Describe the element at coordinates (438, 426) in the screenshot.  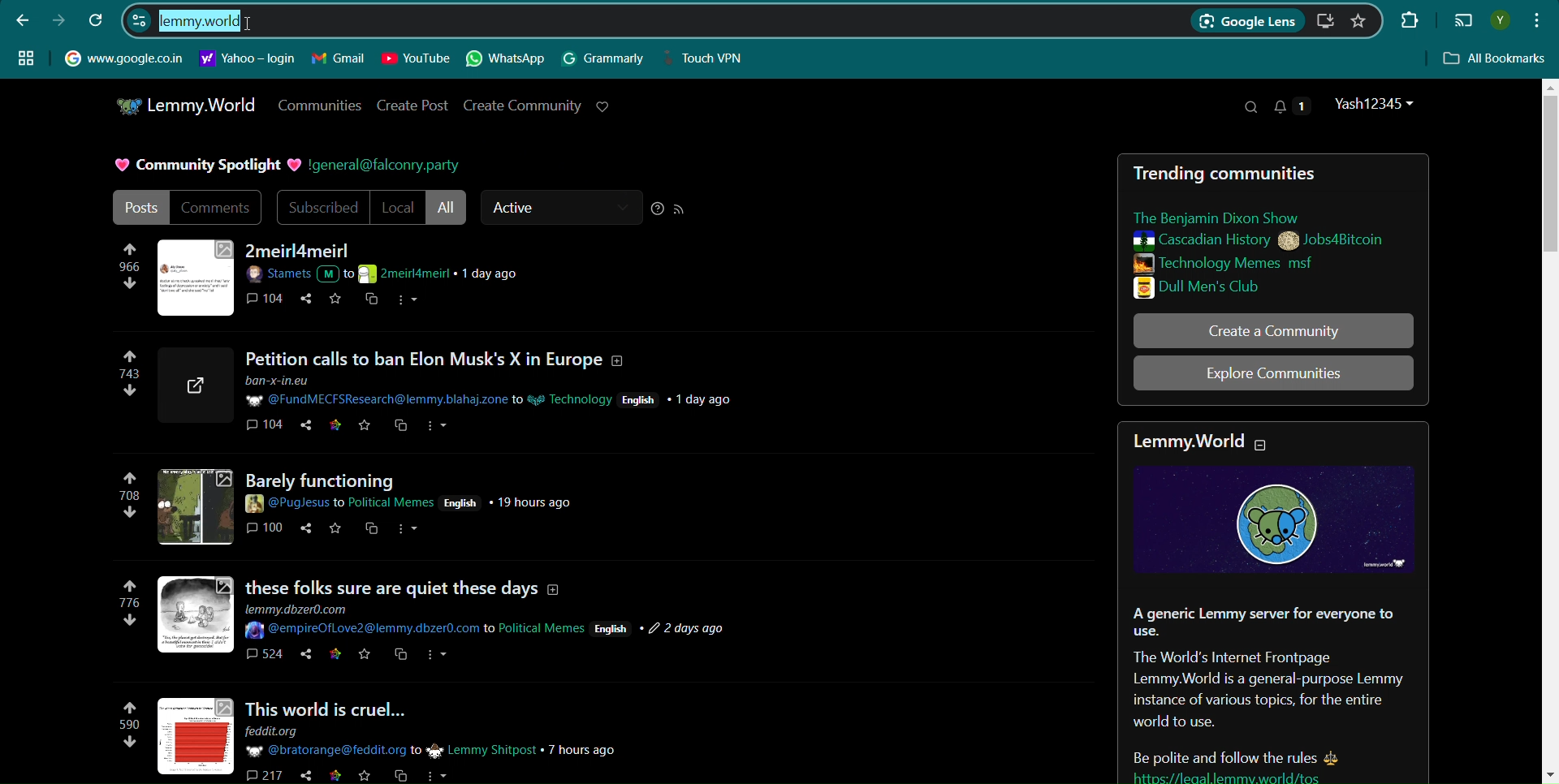
I see `more` at that location.